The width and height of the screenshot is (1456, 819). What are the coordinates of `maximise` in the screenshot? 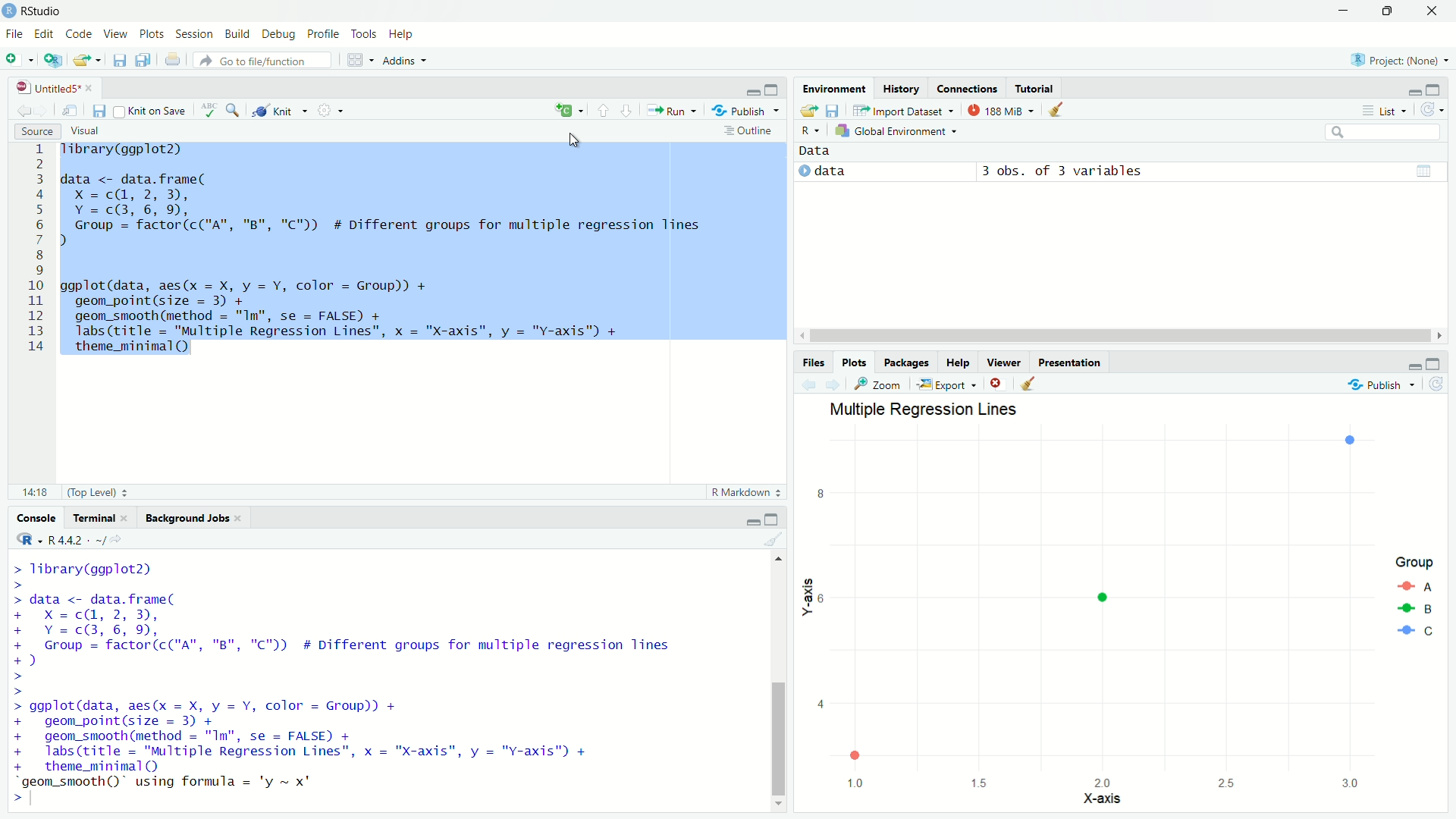 It's located at (773, 88).